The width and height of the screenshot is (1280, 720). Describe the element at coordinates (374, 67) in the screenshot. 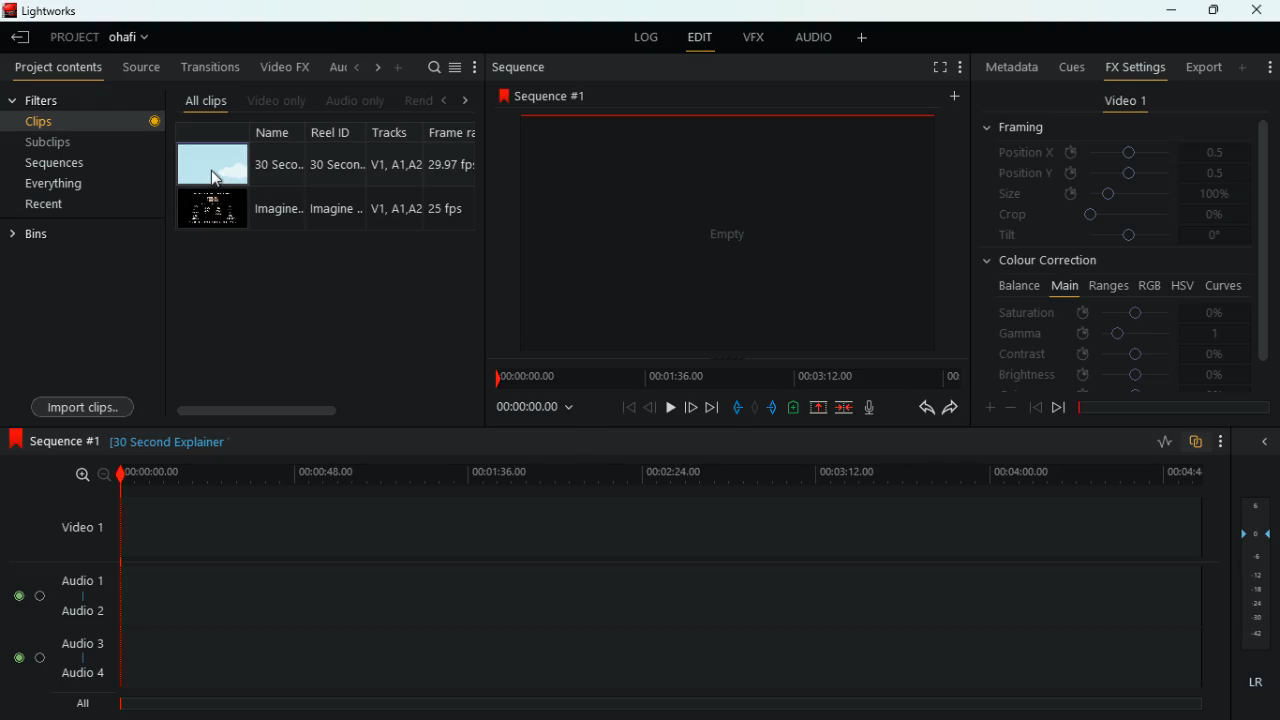

I see `right` at that location.